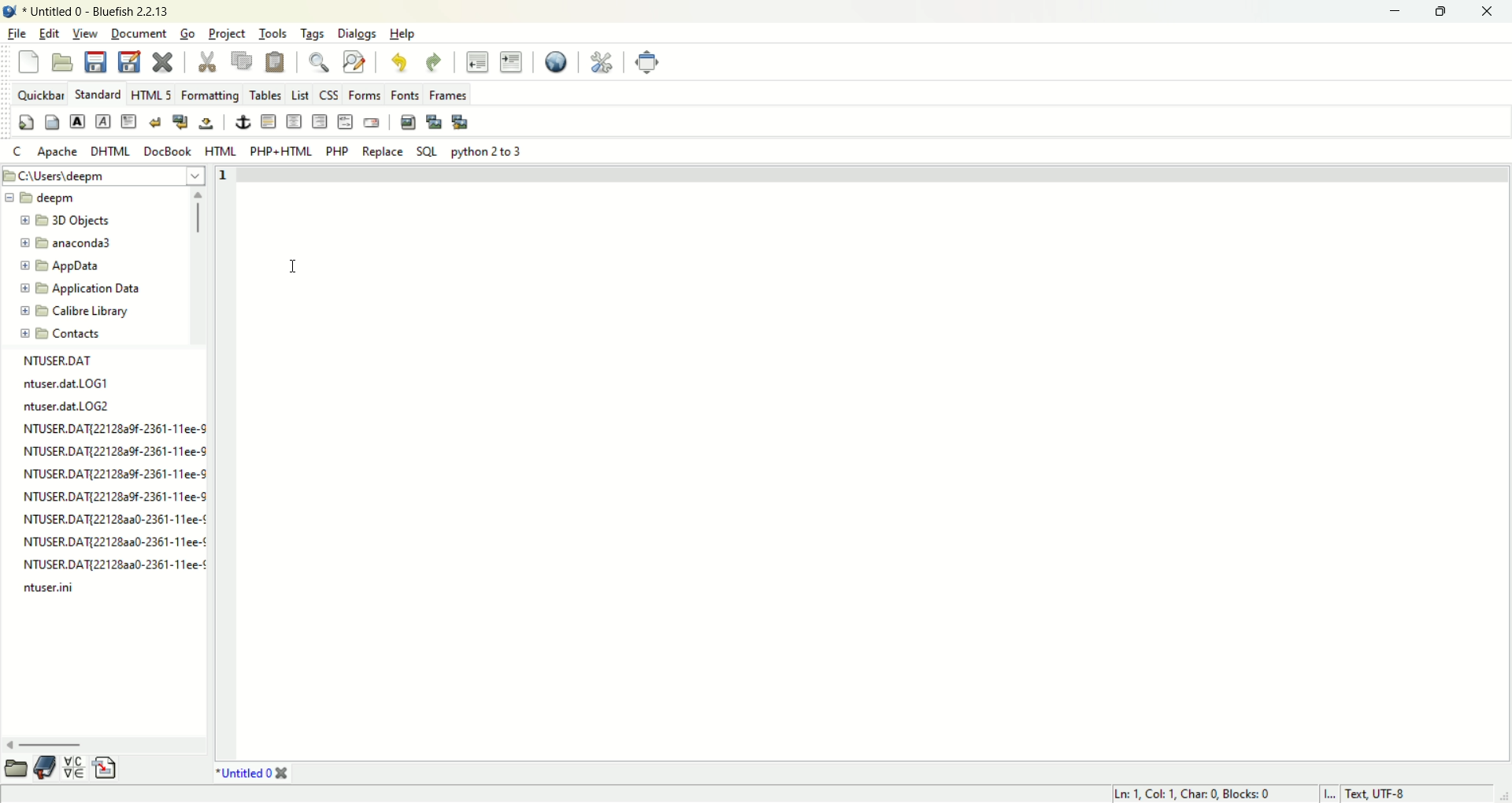 The width and height of the screenshot is (1512, 803). I want to click on new file, so click(28, 61).